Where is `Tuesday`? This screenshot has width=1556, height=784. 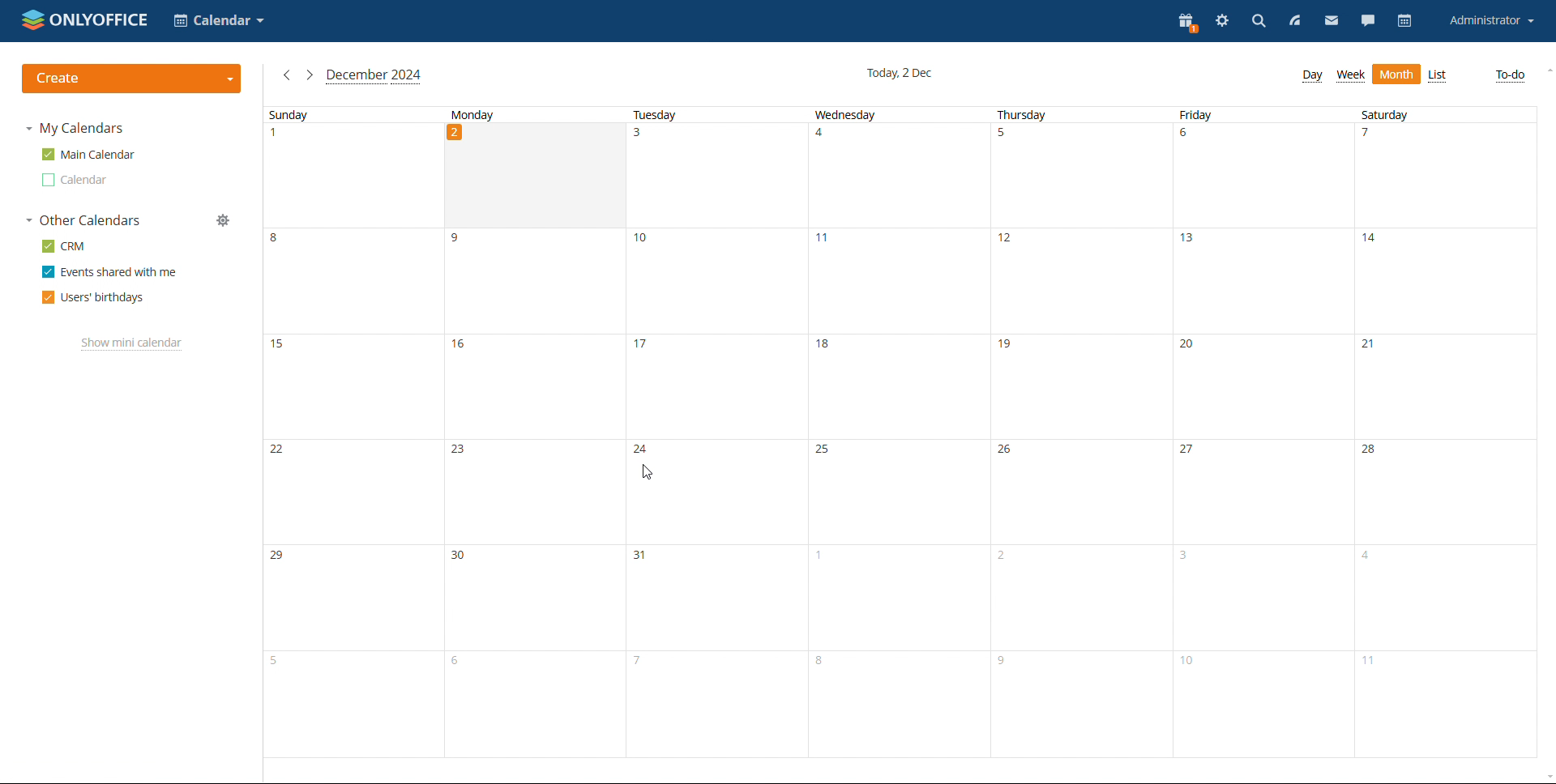 Tuesday is located at coordinates (656, 113).